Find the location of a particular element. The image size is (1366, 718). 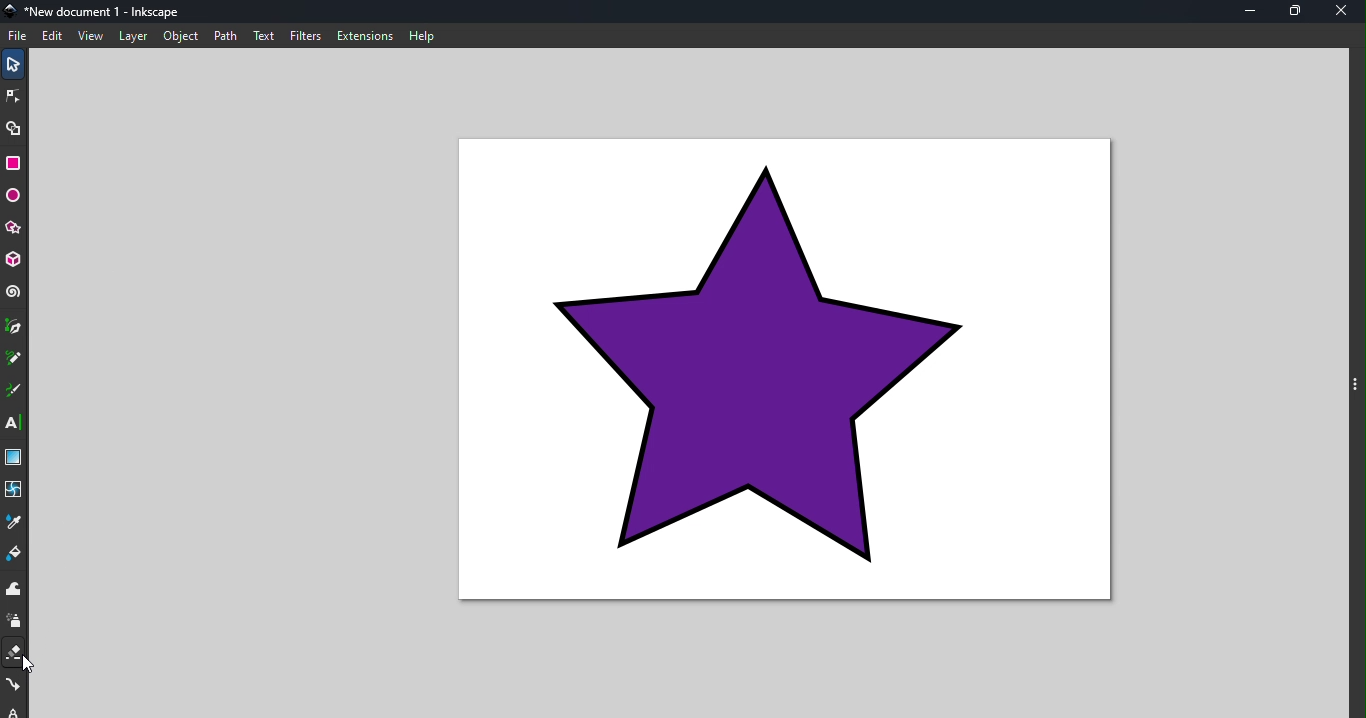

cursor is located at coordinates (25, 662).